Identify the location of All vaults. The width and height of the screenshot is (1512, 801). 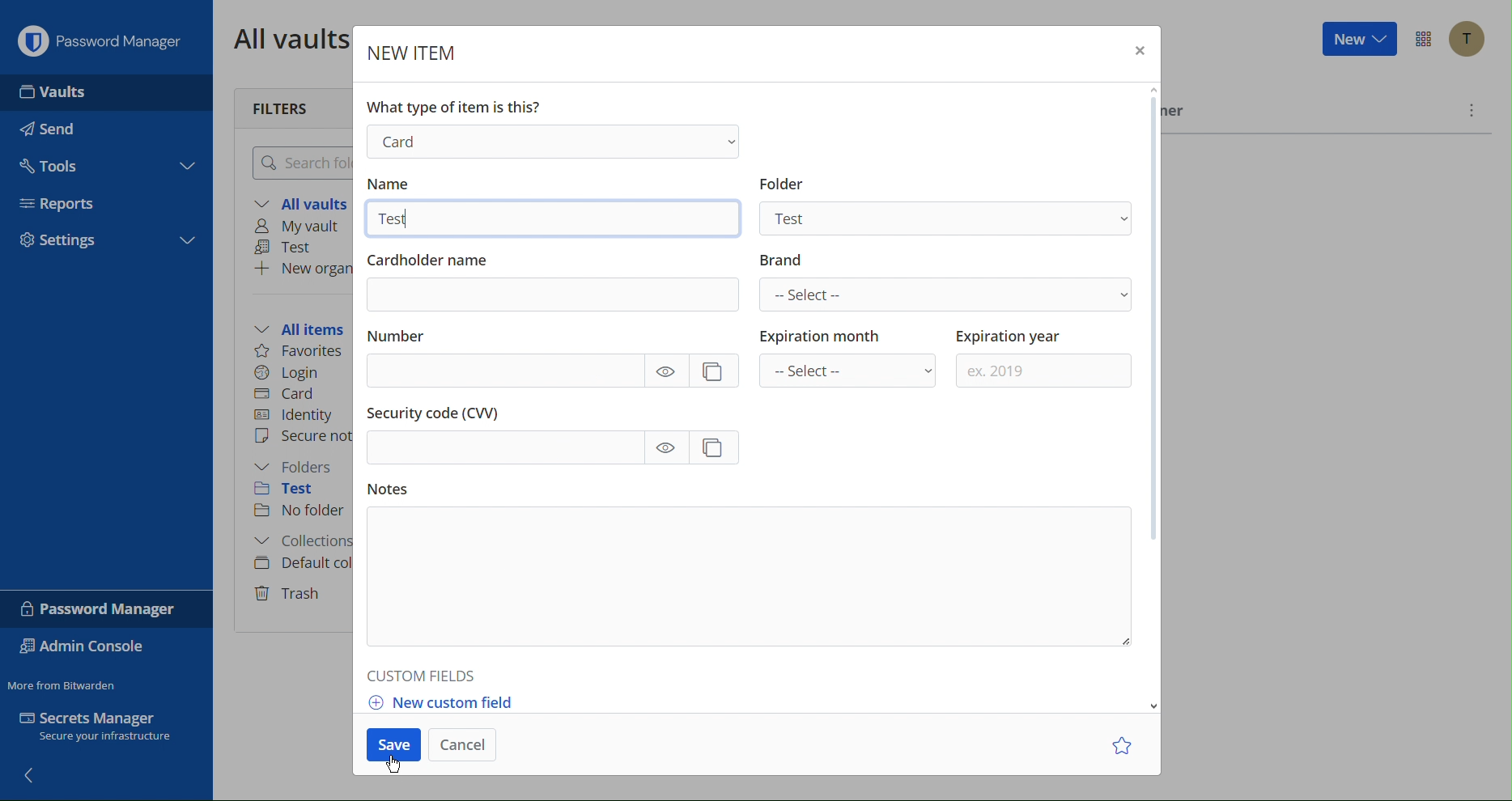
(295, 201).